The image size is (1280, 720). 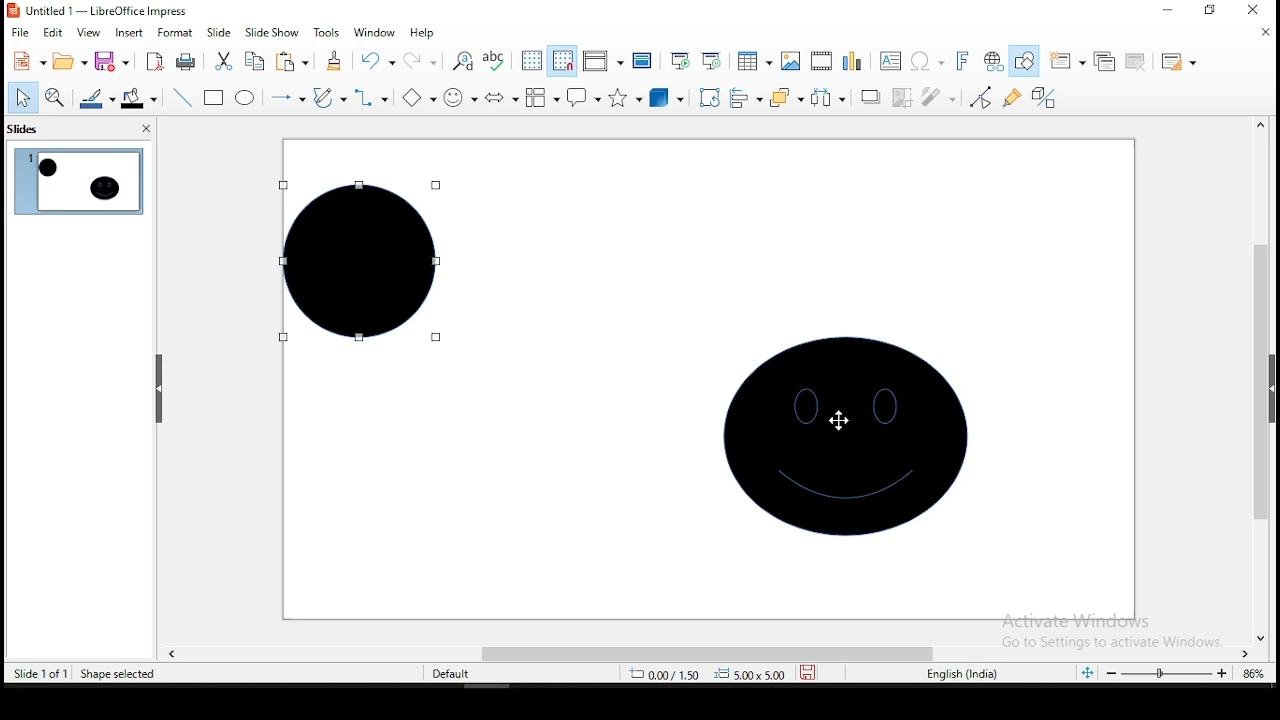 I want to click on 0.00x0.00, so click(x=751, y=674).